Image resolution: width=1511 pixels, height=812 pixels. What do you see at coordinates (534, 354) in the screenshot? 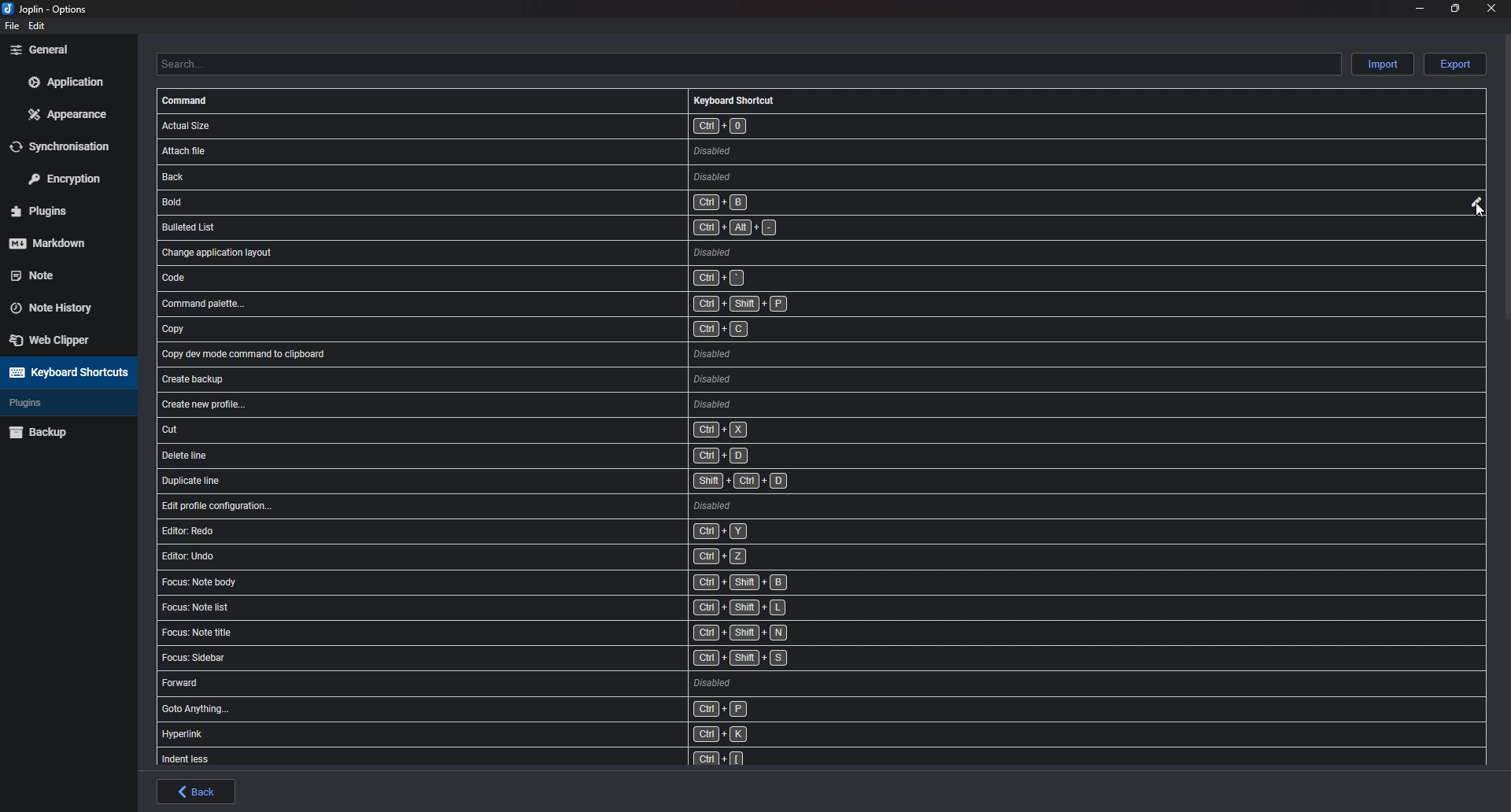
I see `shortcut` at bounding box center [534, 354].